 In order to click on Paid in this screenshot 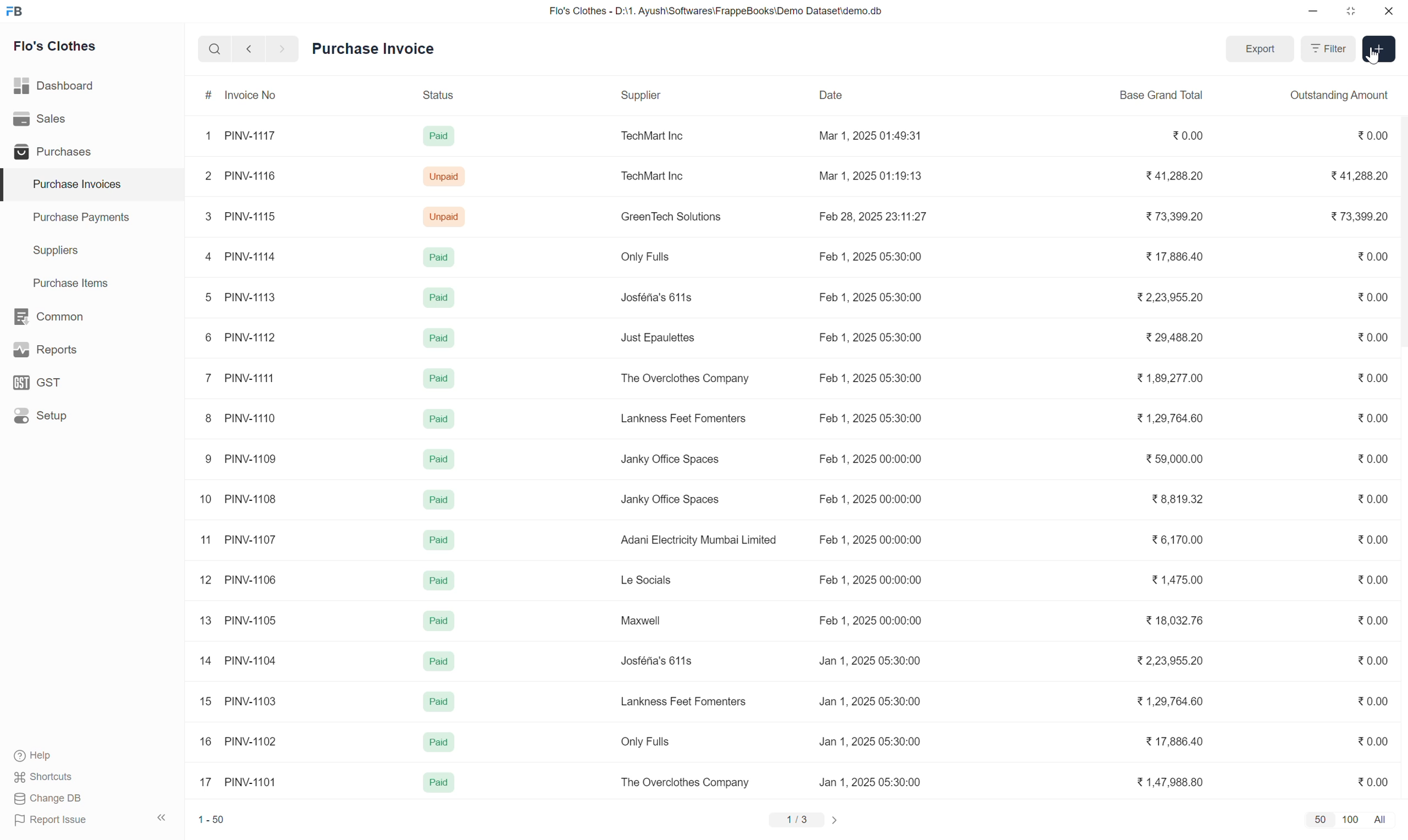, I will do `click(439, 580)`.